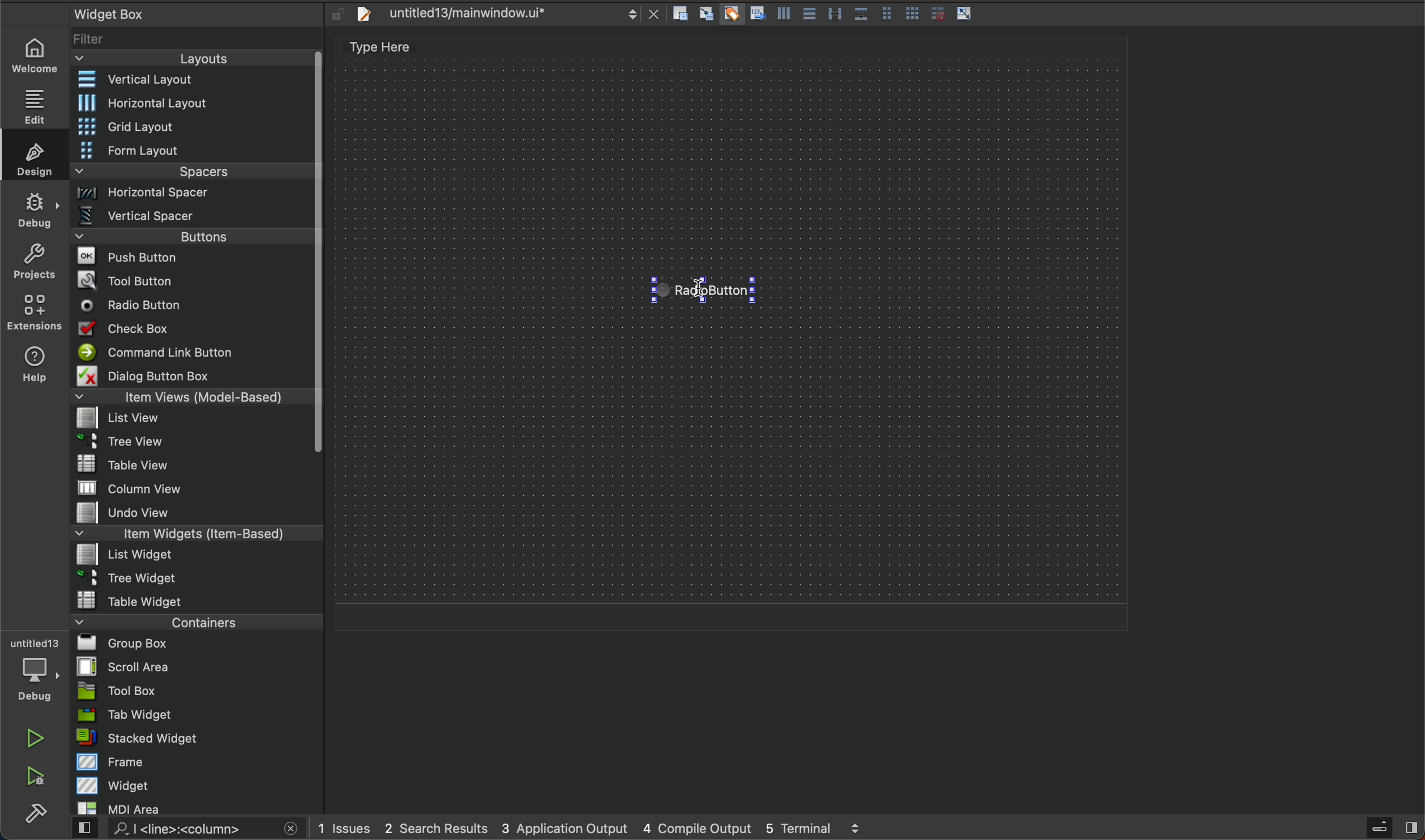  I want to click on edit, so click(40, 102).